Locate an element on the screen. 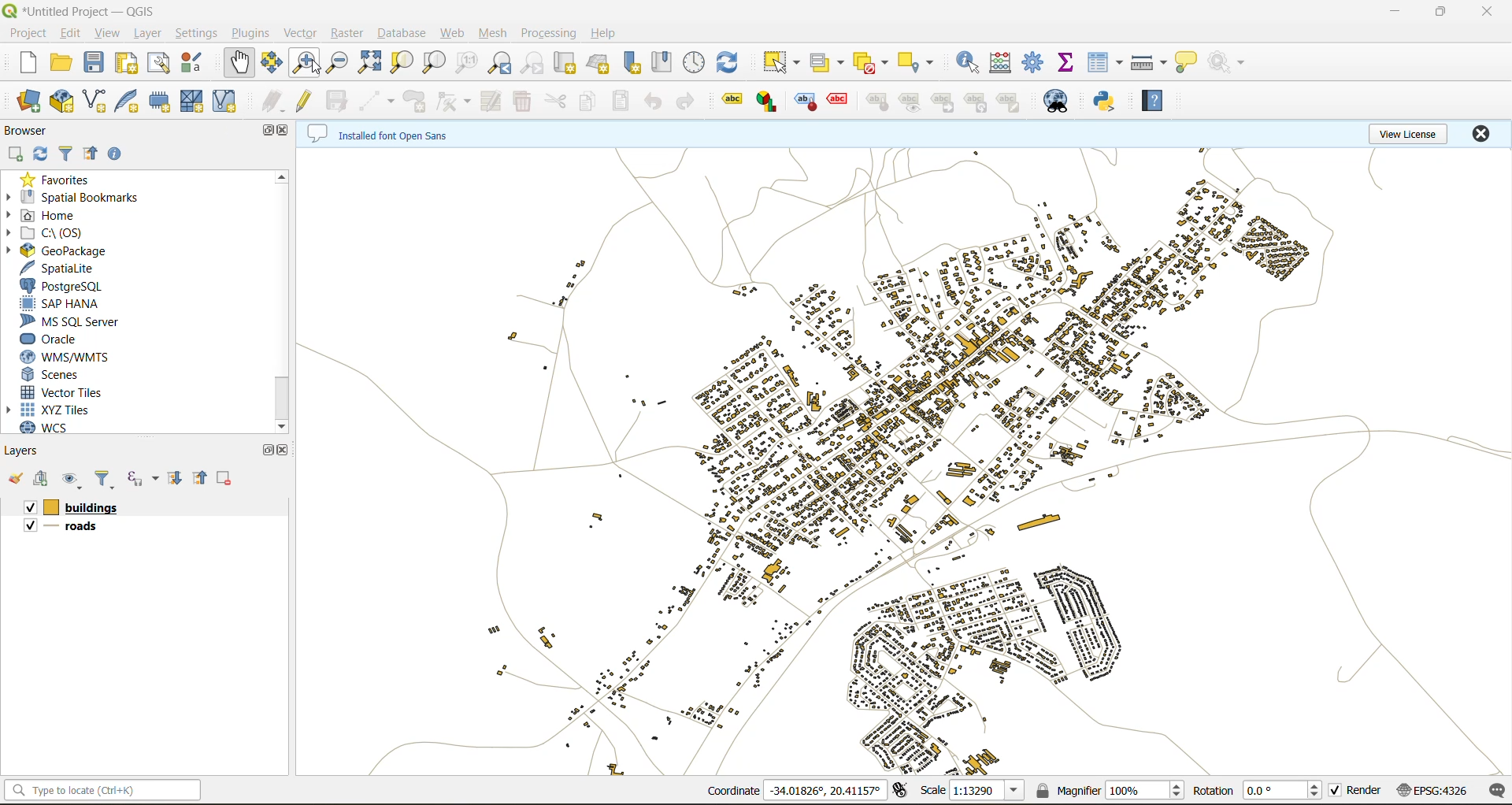 The image size is (1512, 805). vertex tools is located at coordinates (454, 102).